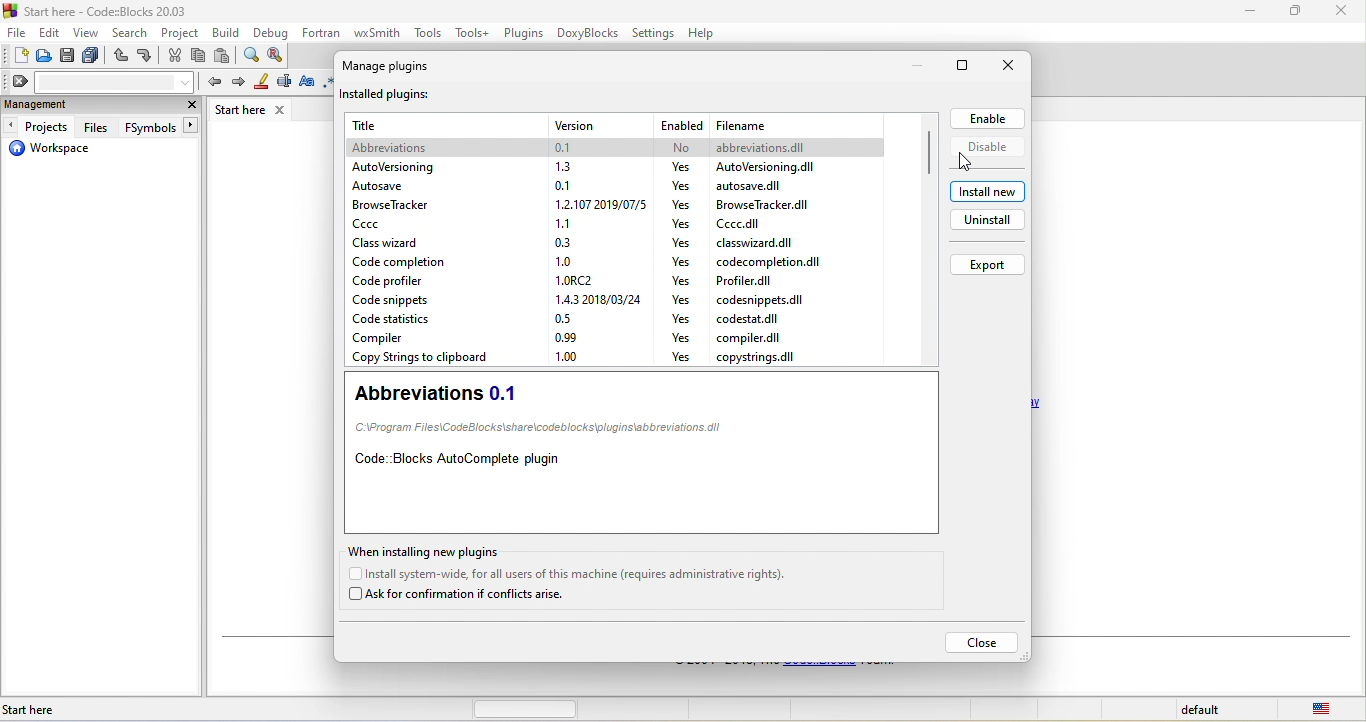 This screenshot has width=1366, height=722. Describe the element at coordinates (580, 280) in the screenshot. I see `version ` at that location.